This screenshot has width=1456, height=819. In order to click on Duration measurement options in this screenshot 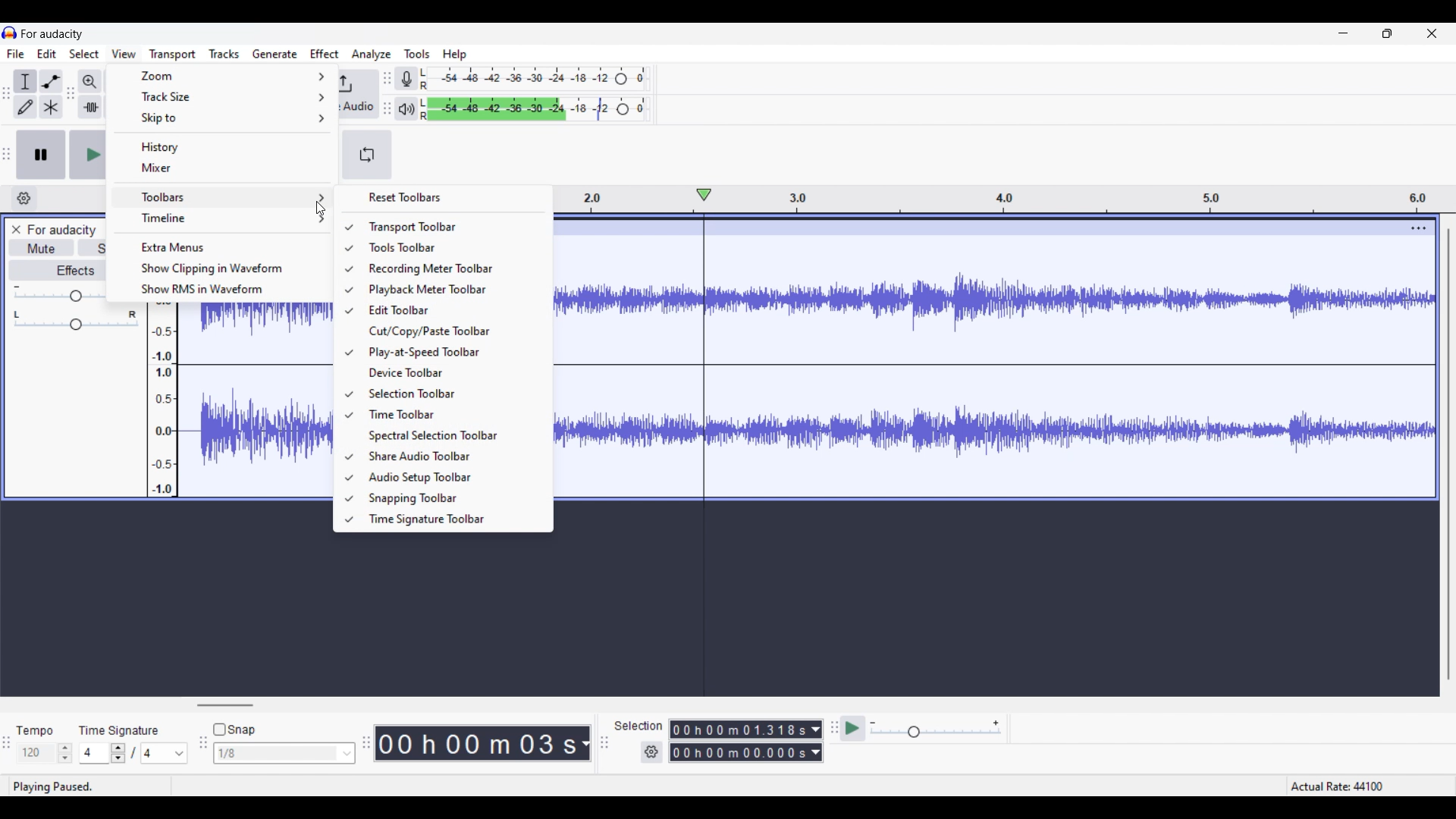, I will do `click(585, 743)`.